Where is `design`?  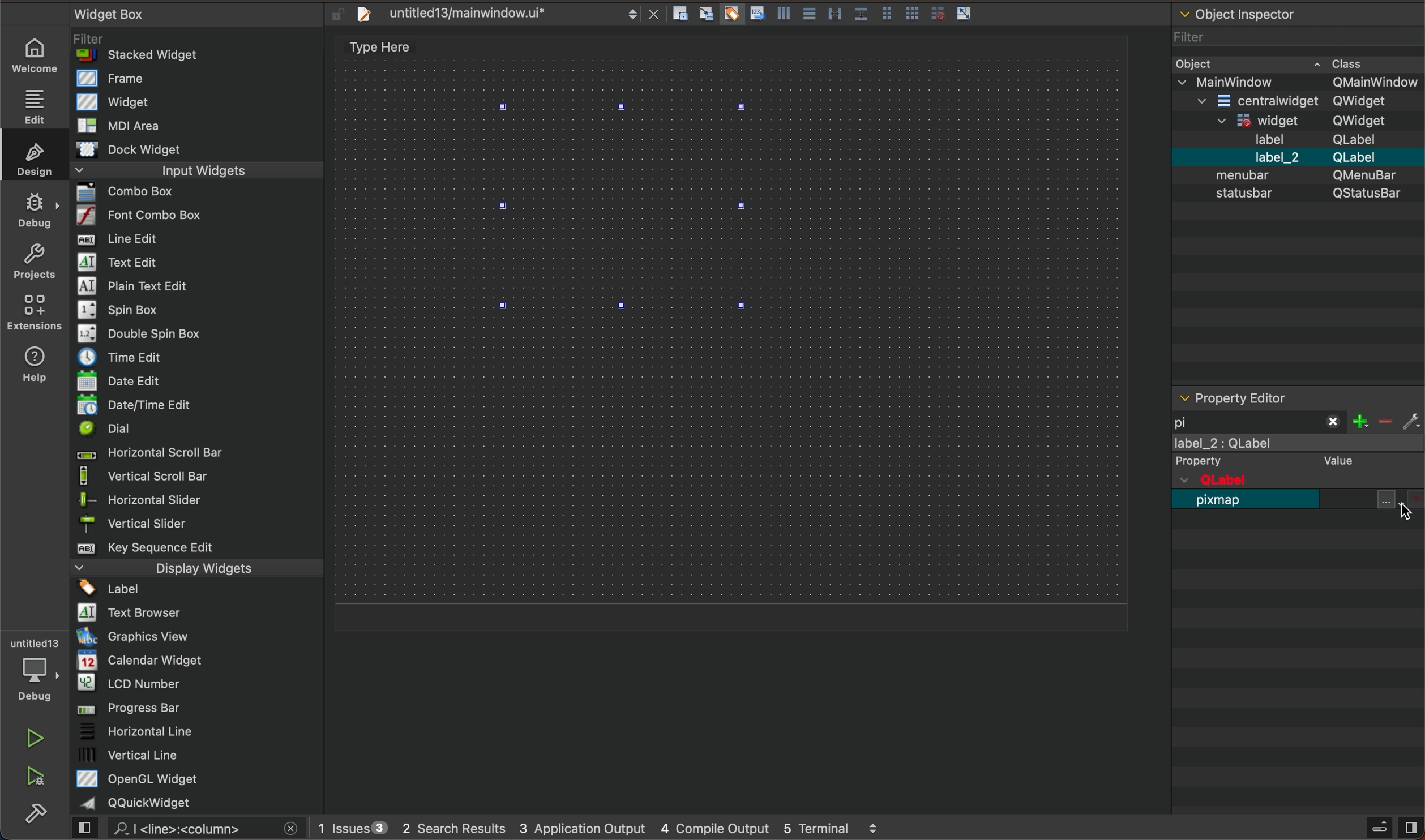 design is located at coordinates (33, 156).